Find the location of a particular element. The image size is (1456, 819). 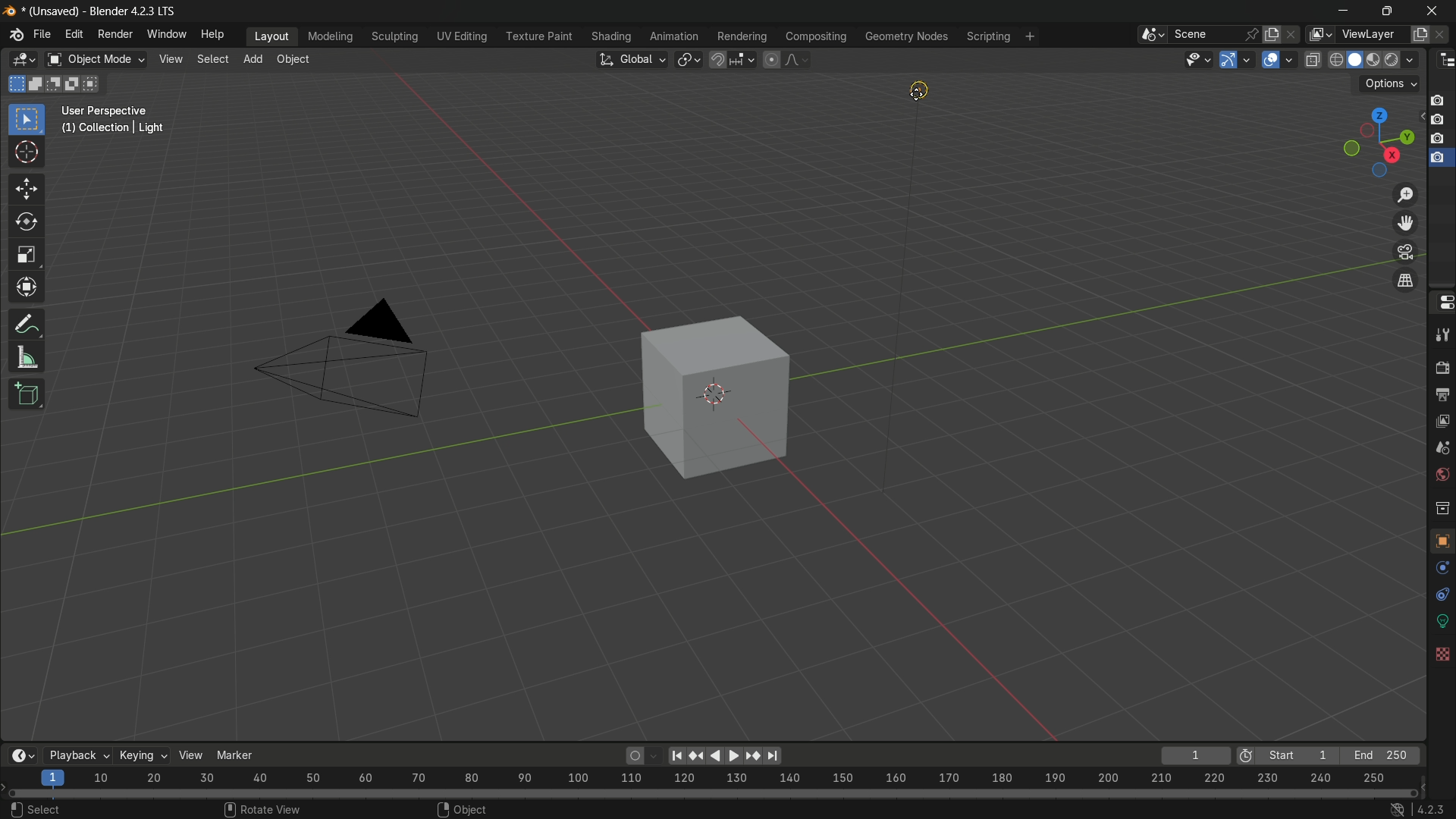

camera is located at coordinates (337, 369).